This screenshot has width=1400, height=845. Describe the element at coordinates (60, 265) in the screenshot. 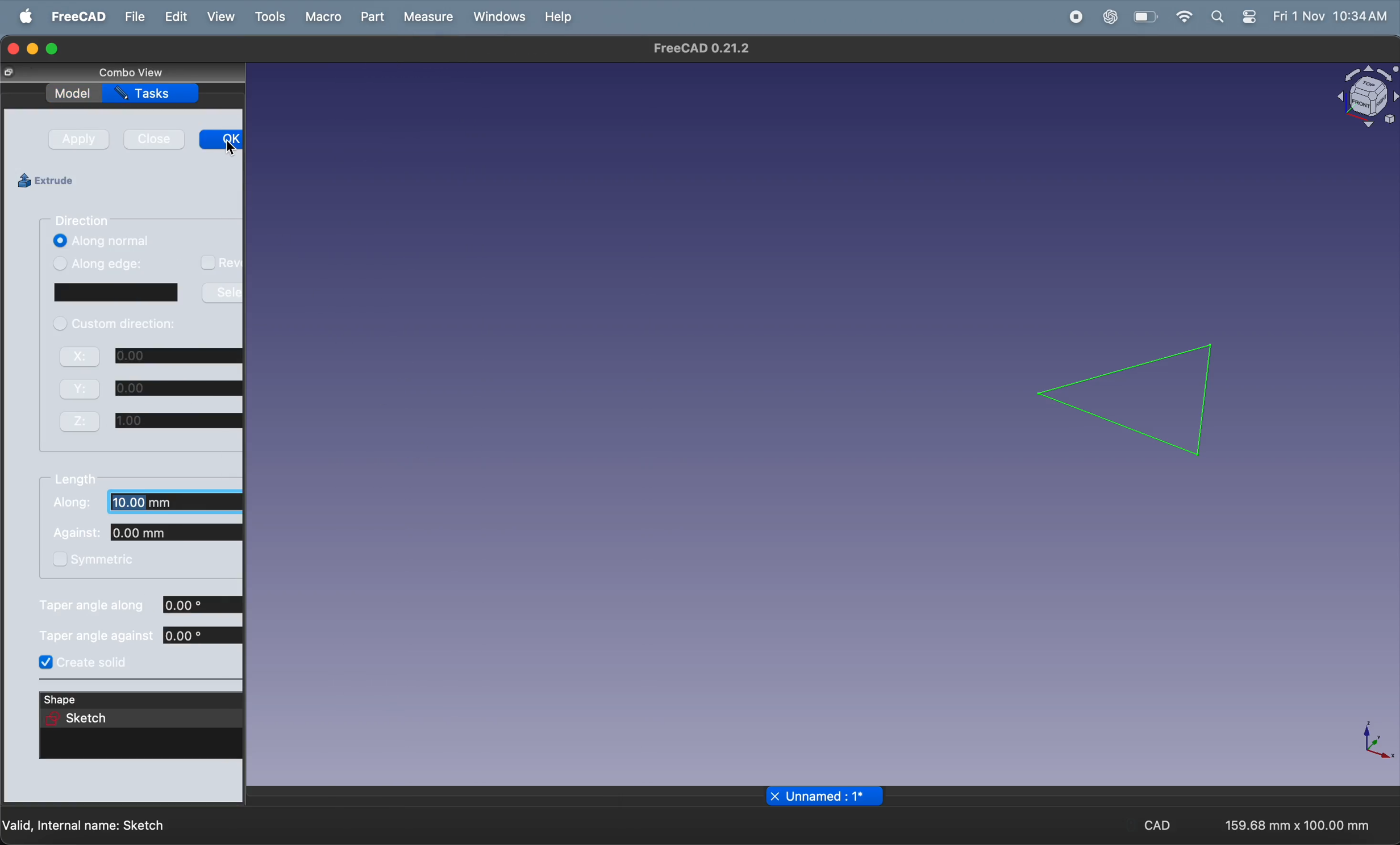

I see `checkbox ` at that location.